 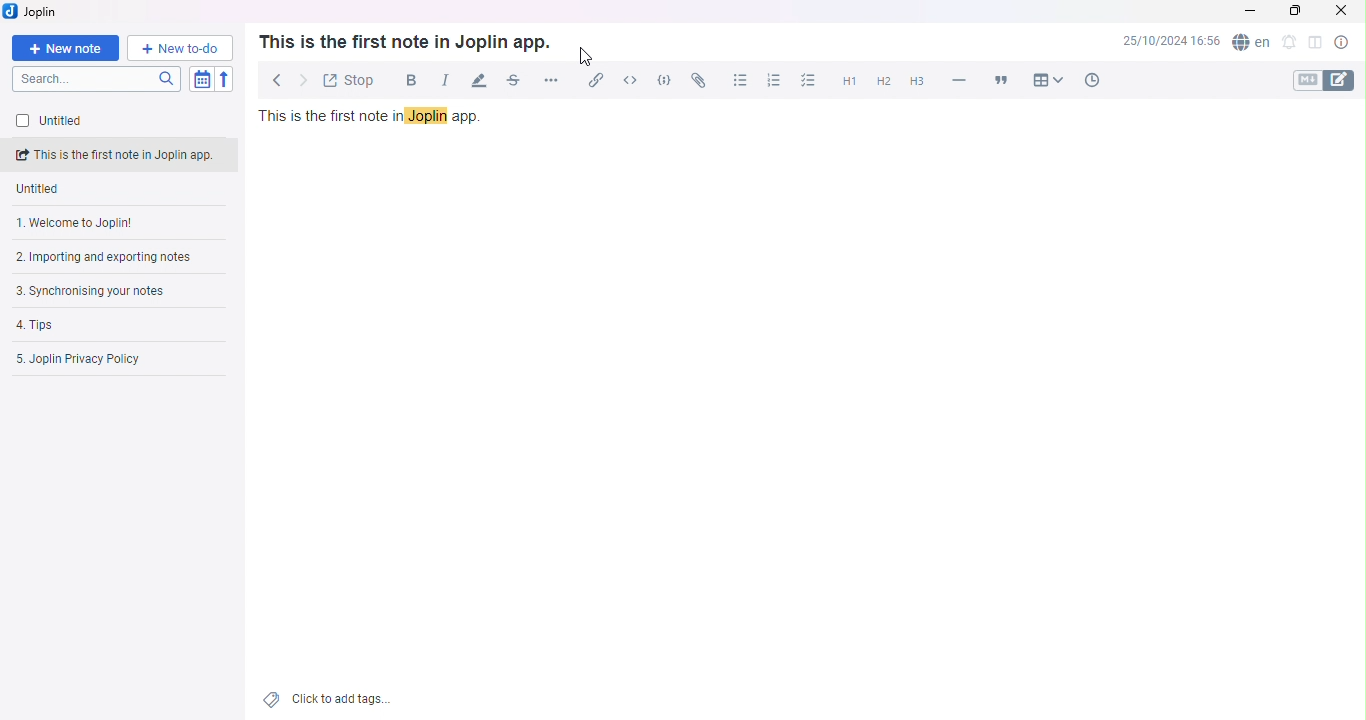 What do you see at coordinates (1288, 44) in the screenshot?
I see `Set ab alarm` at bounding box center [1288, 44].